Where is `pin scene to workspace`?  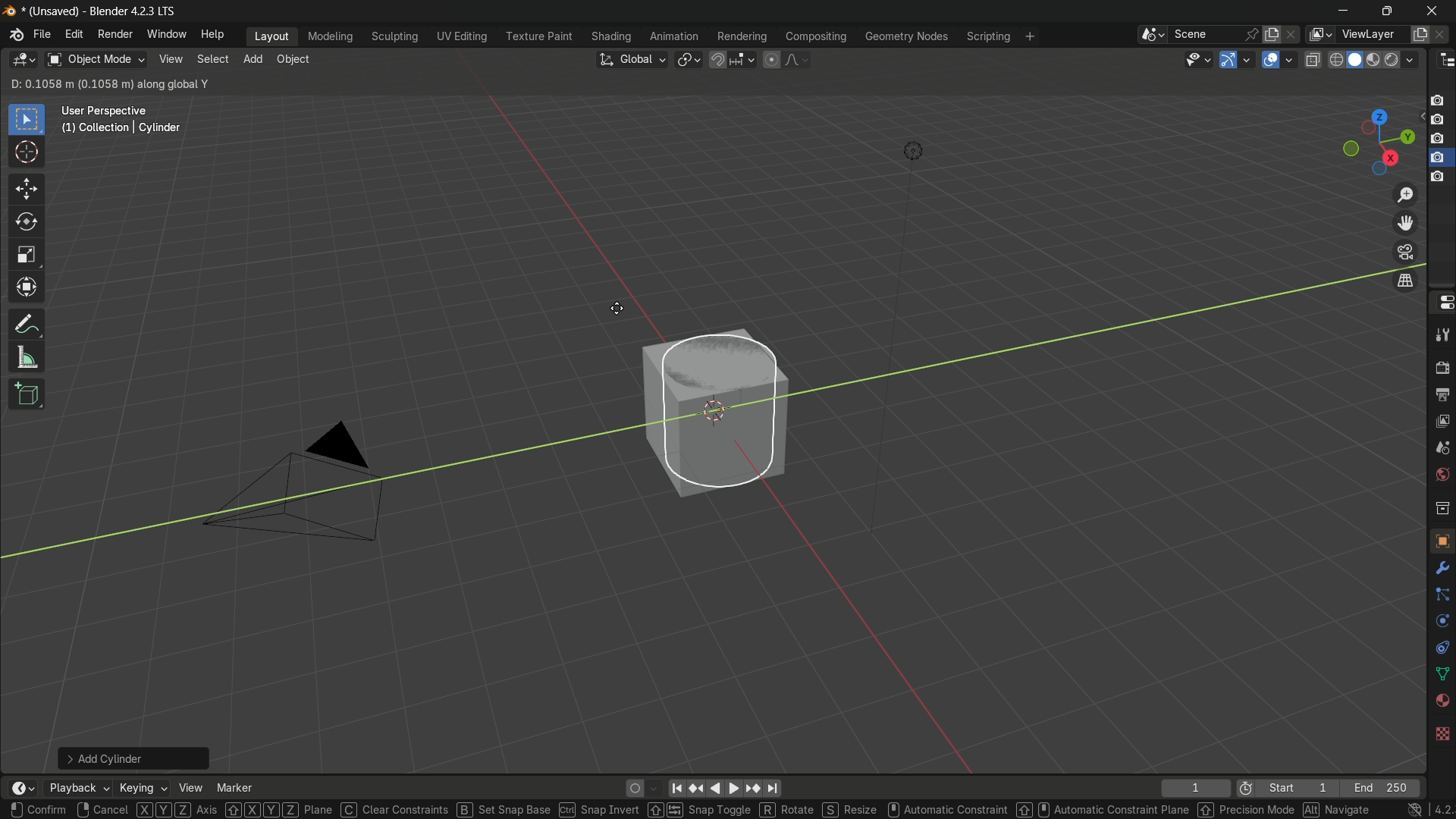
pin scene to workspace is located at coordinates (1252, 34).